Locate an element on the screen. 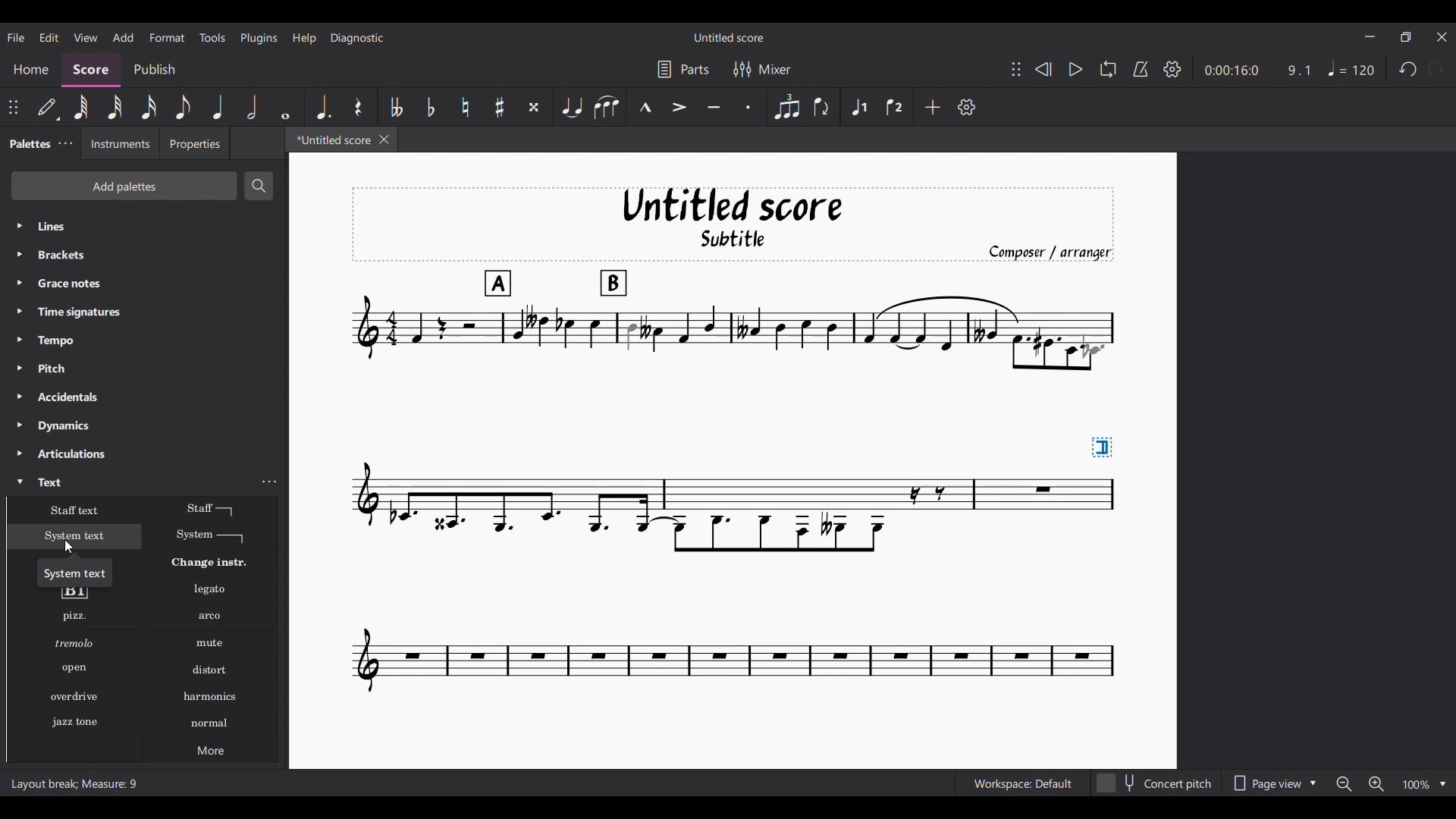  Whole note is located at coordinates (287, 107).